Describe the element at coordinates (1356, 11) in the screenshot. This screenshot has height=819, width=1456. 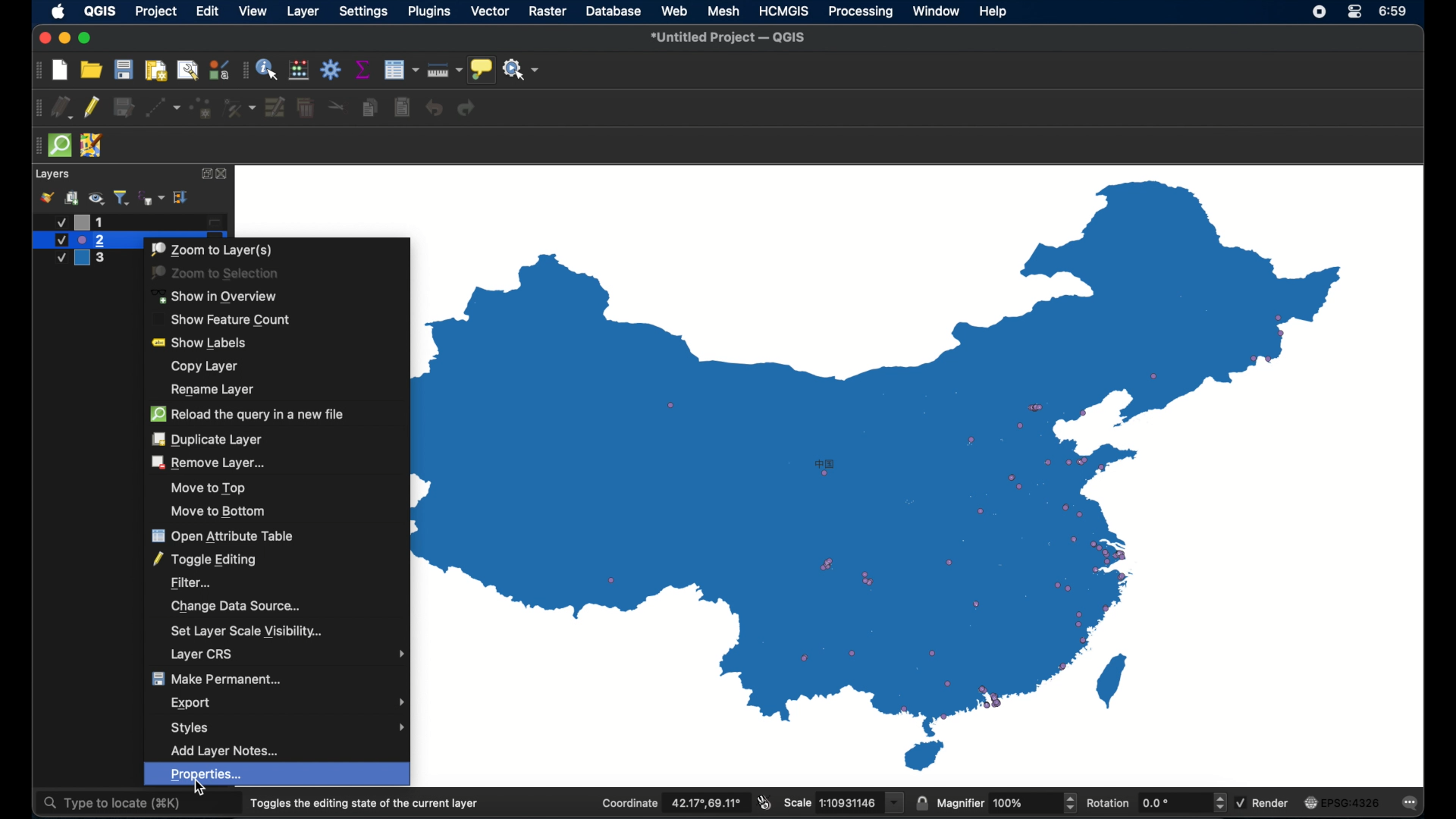
I see `control center` at that location.